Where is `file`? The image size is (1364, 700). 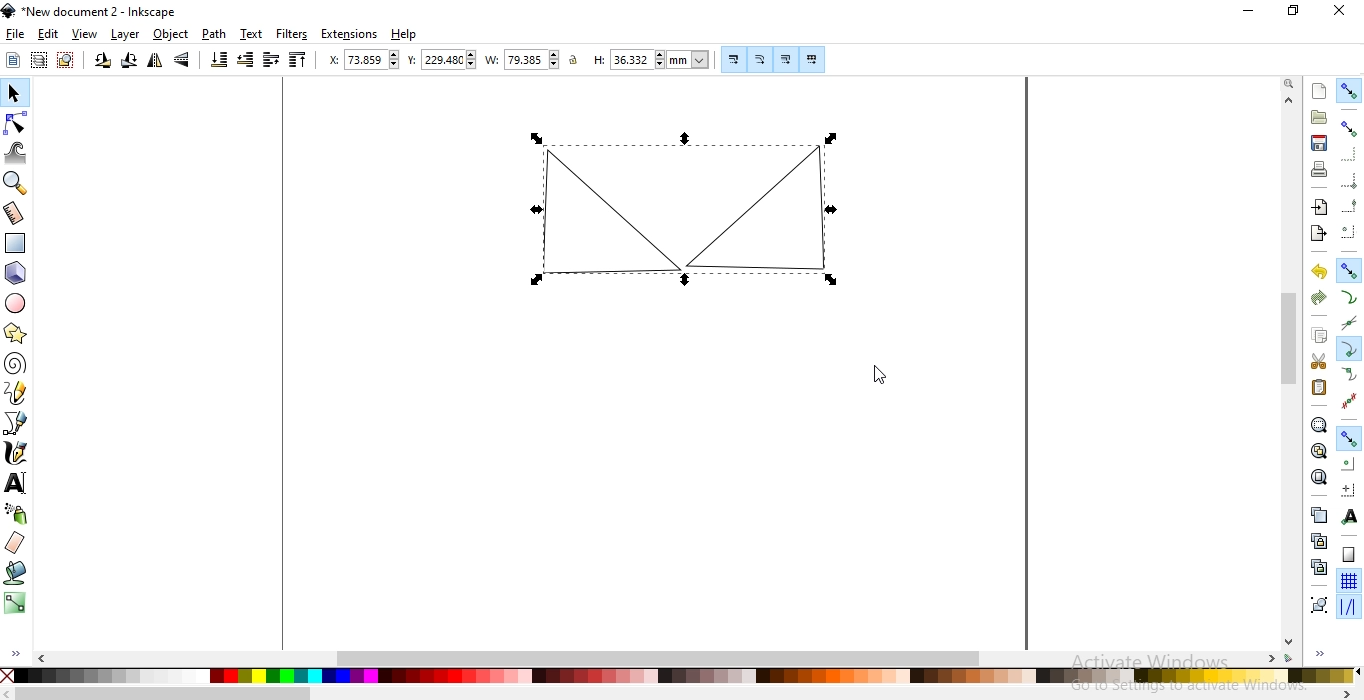
file is located at coordinates (14, 34).